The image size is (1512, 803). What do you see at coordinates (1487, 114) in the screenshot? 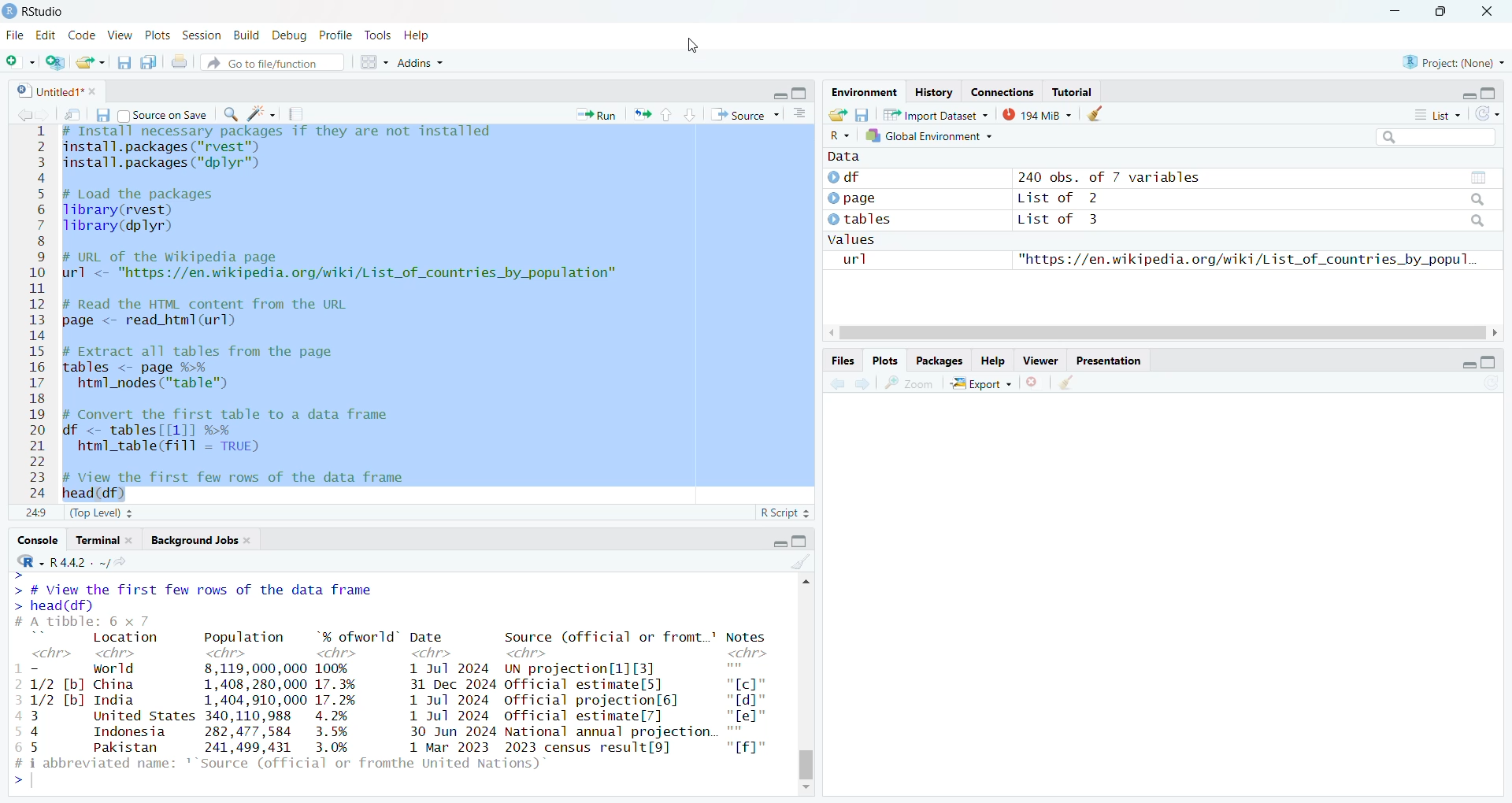
I see `refresh` at bounding box center [1487, 114].